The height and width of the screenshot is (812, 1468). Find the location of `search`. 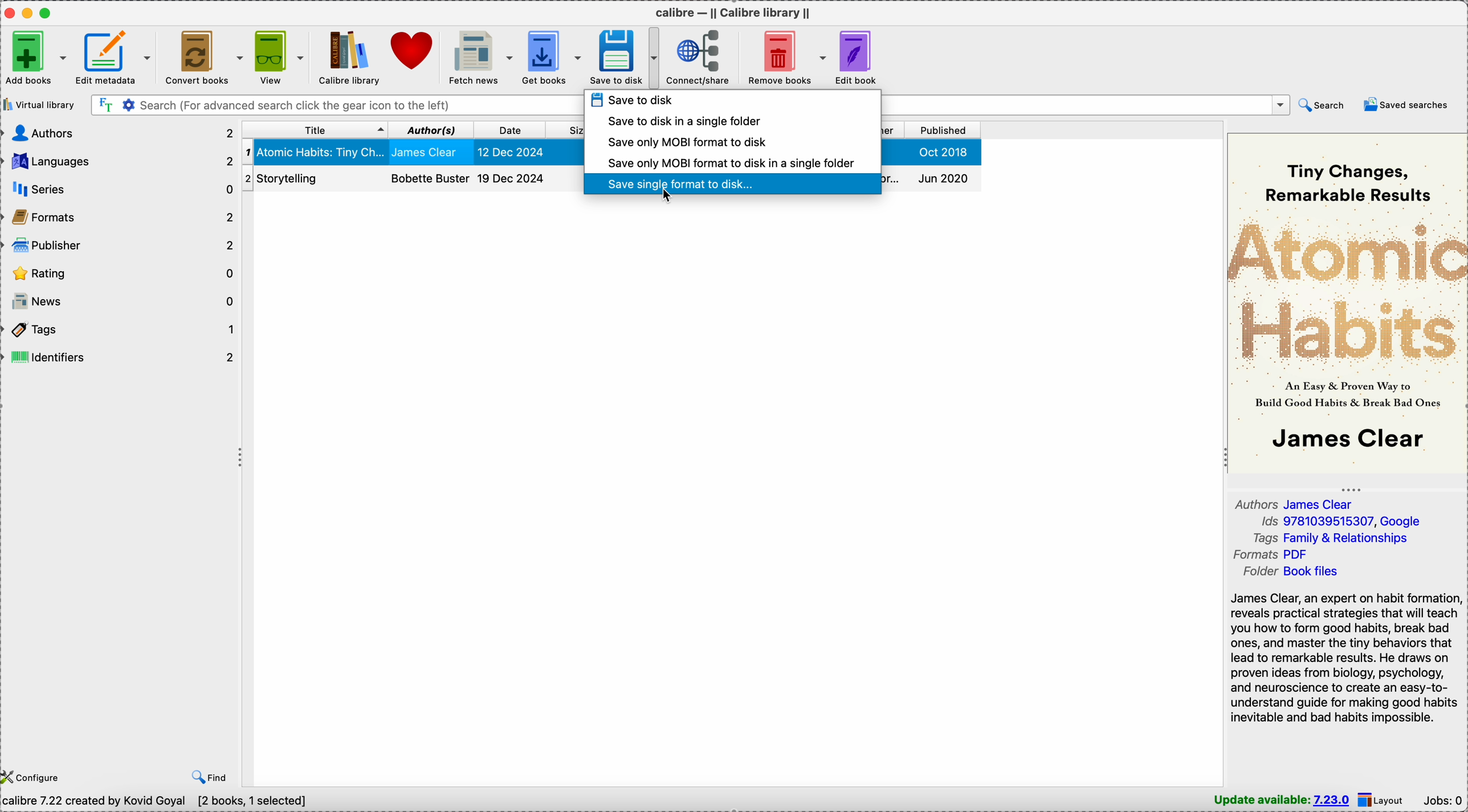

search is located at coordinates (1320, 105).